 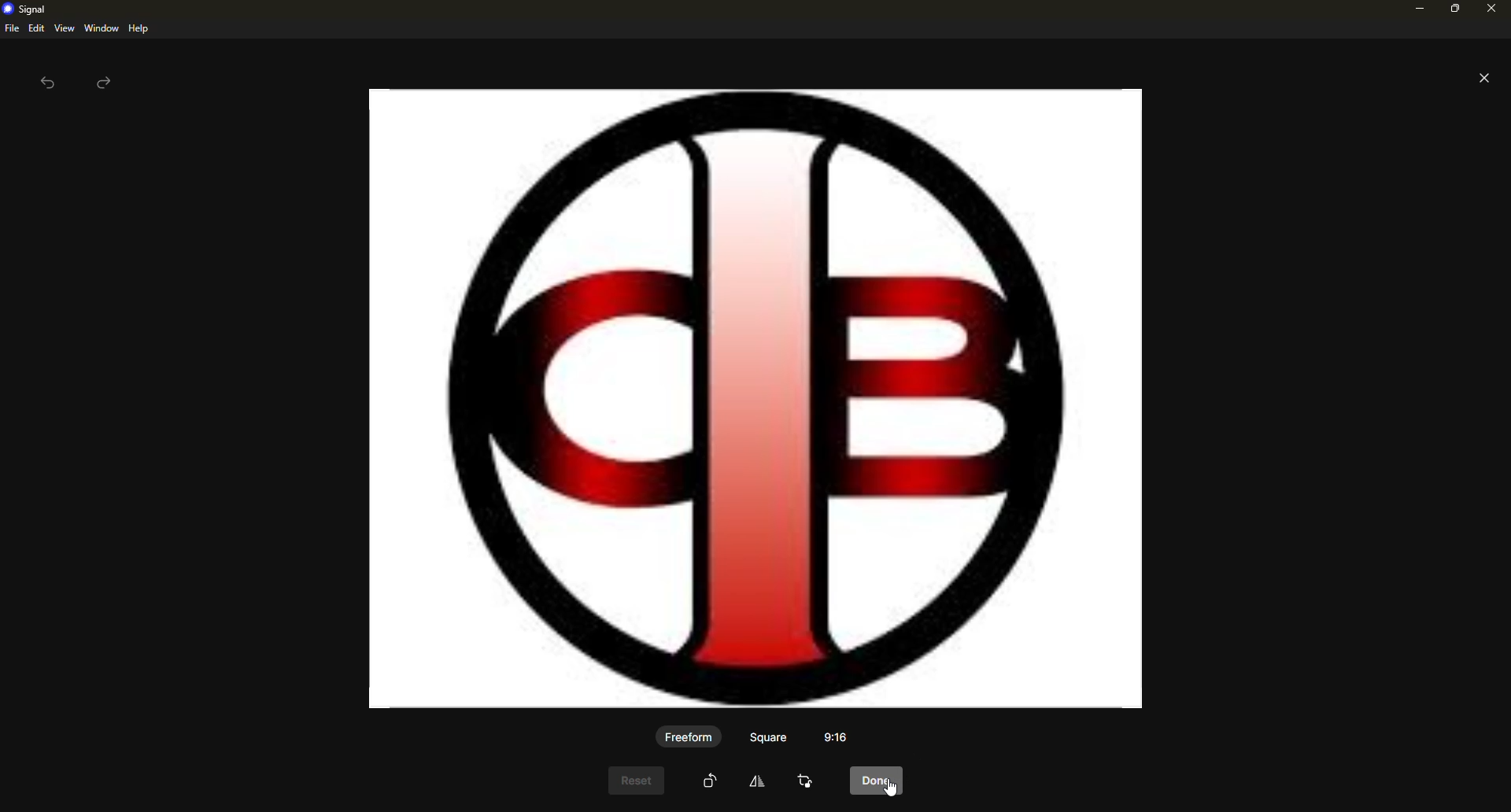 What do you see at coordinates (768, 737) in the screenshot?
I see `square` at bounding box center [768, 737].